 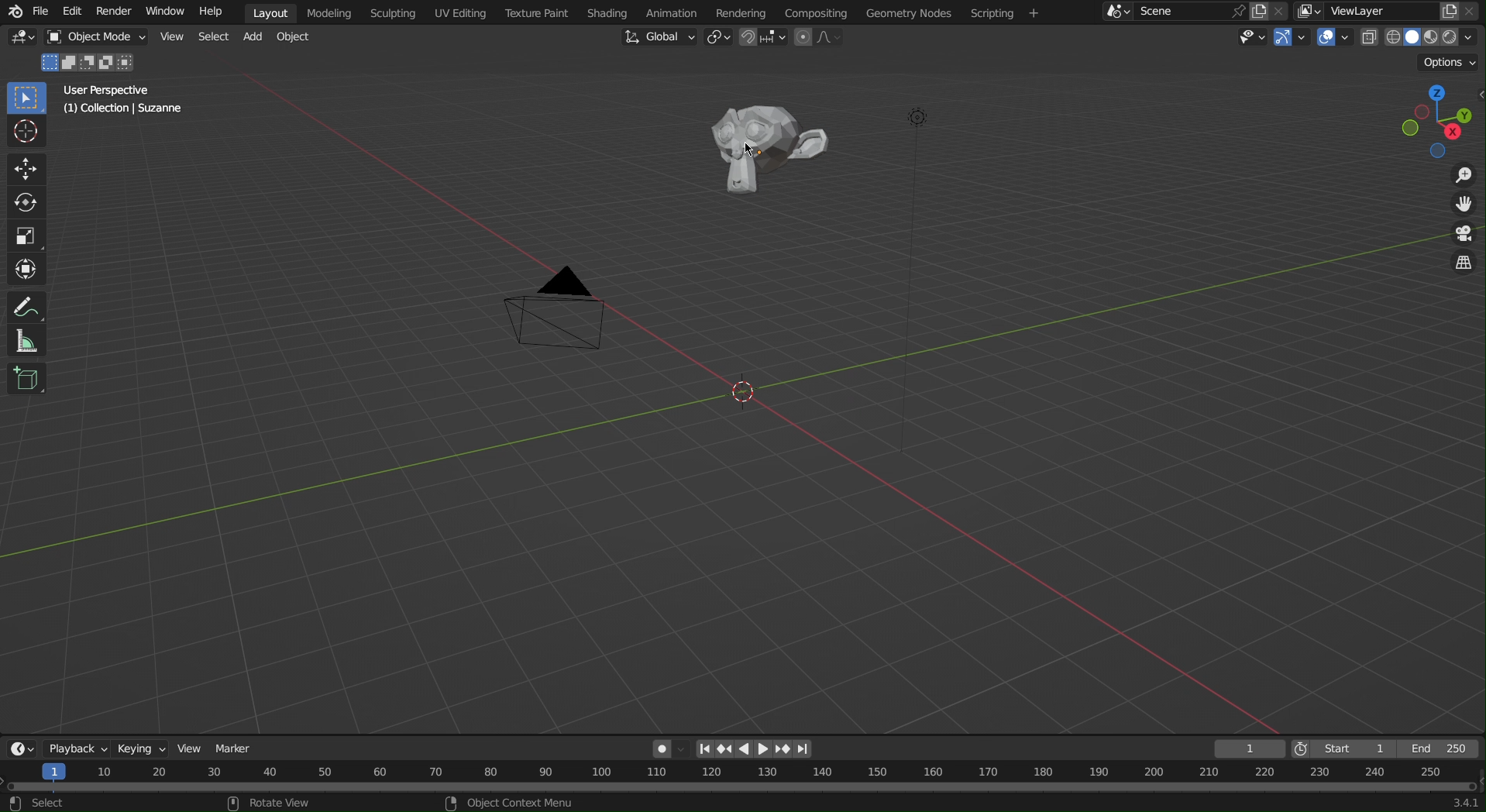 What do you see at coordinates (451, 803) in the screenshot?
I see `icon` at bounding box center [451, 803].